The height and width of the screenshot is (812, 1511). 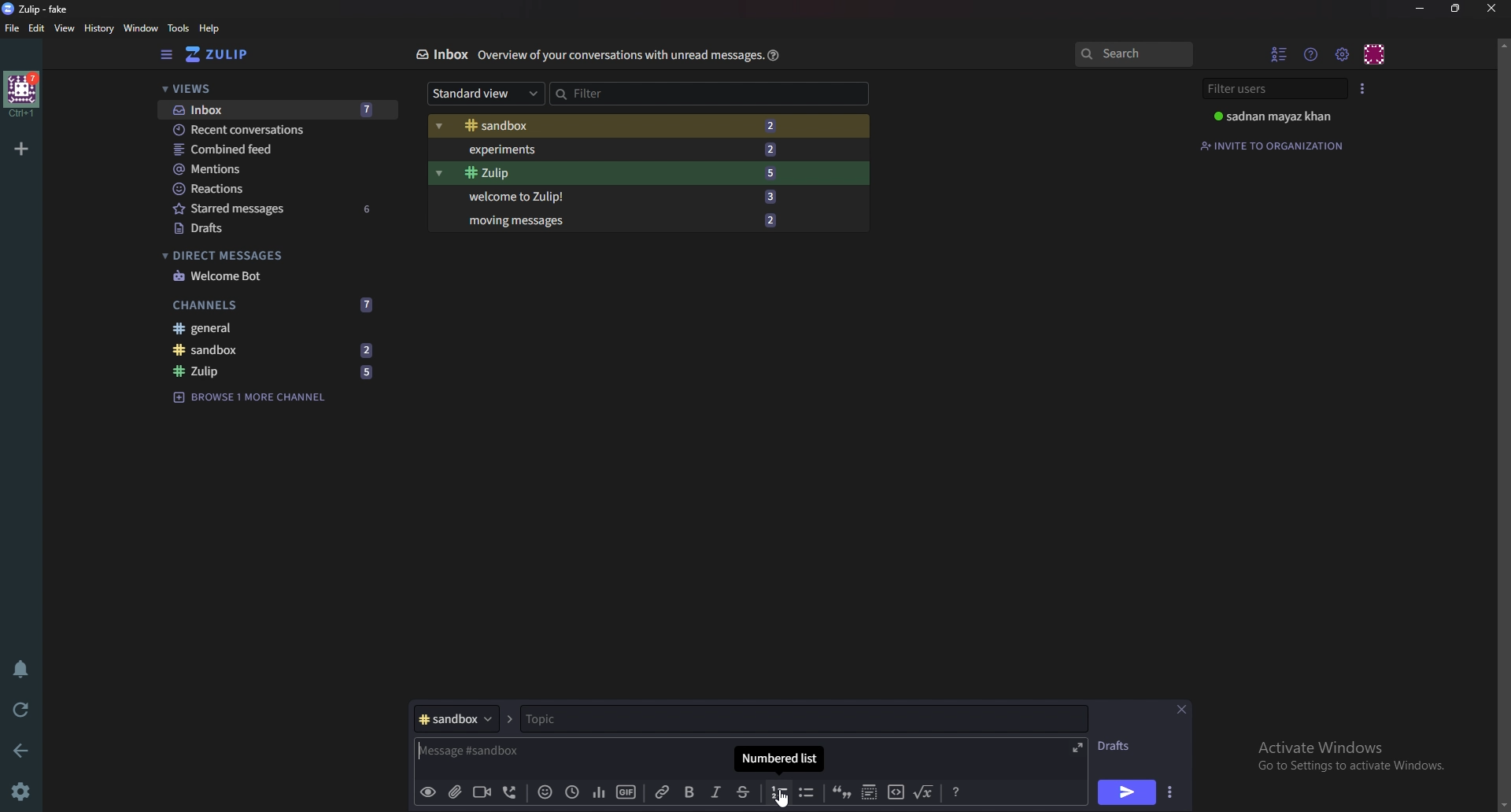 What do you see at coordinates (784, 799) in the screenshot?
I see `Cursor` at bounding box center [784, 799].